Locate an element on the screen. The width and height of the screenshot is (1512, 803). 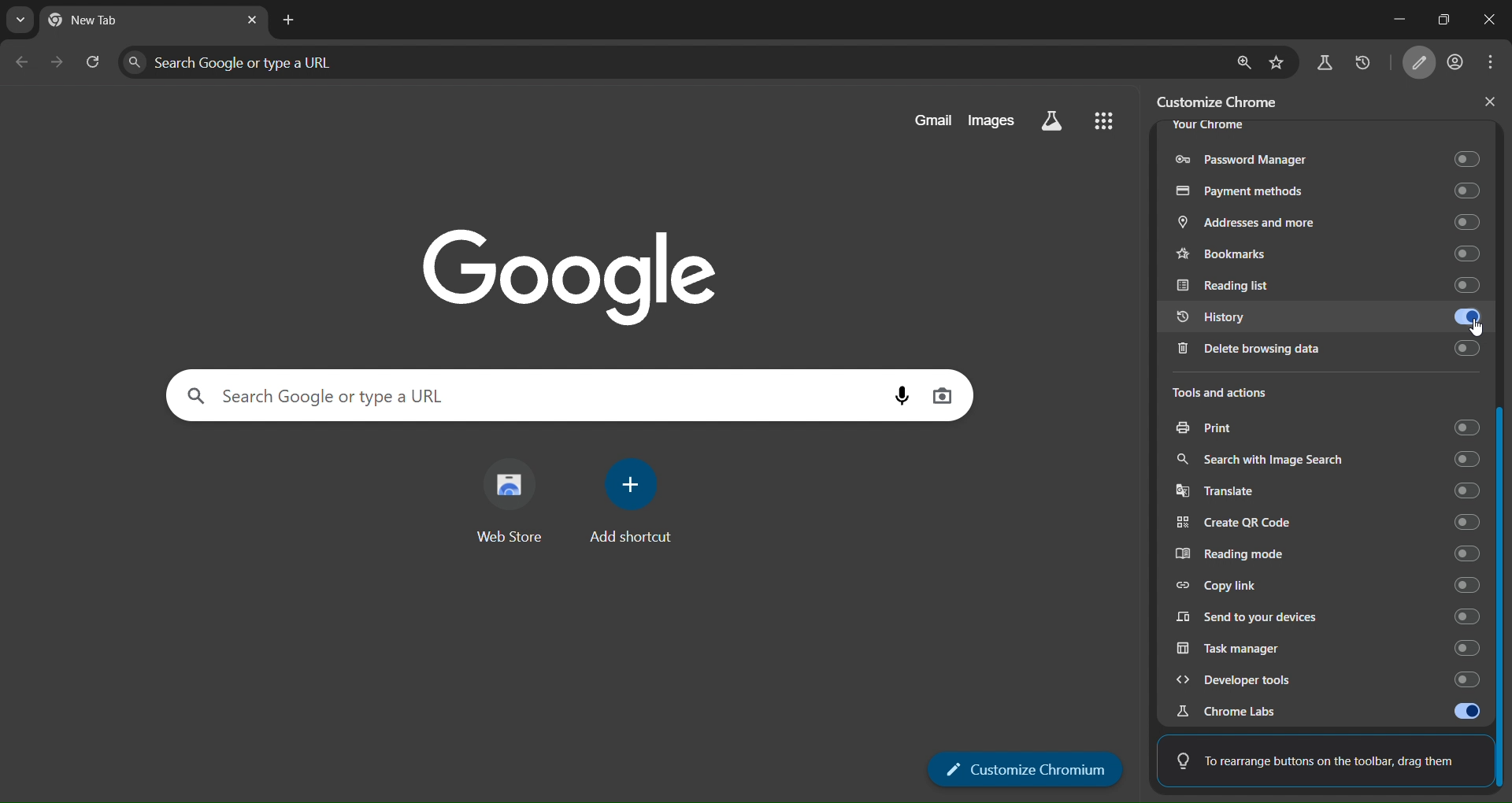
Google logo is located at coordinates (570, 275).